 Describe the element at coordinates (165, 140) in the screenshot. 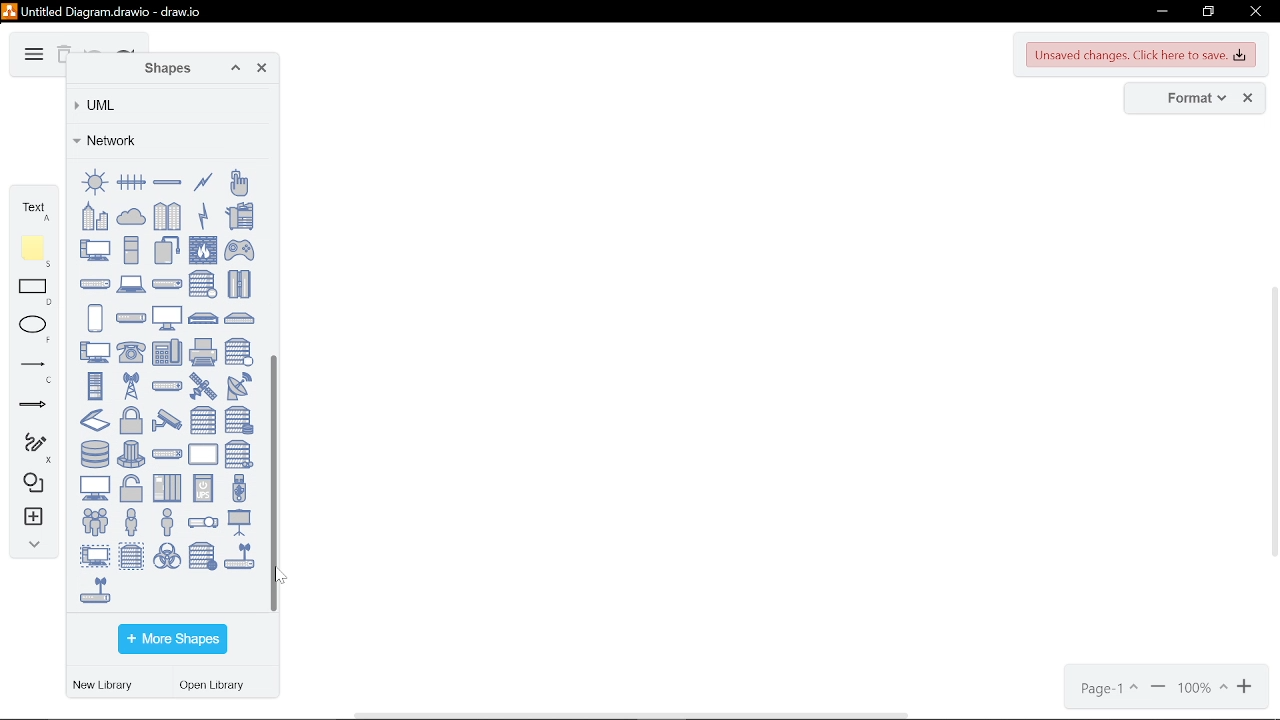

I see `Network` at that location.